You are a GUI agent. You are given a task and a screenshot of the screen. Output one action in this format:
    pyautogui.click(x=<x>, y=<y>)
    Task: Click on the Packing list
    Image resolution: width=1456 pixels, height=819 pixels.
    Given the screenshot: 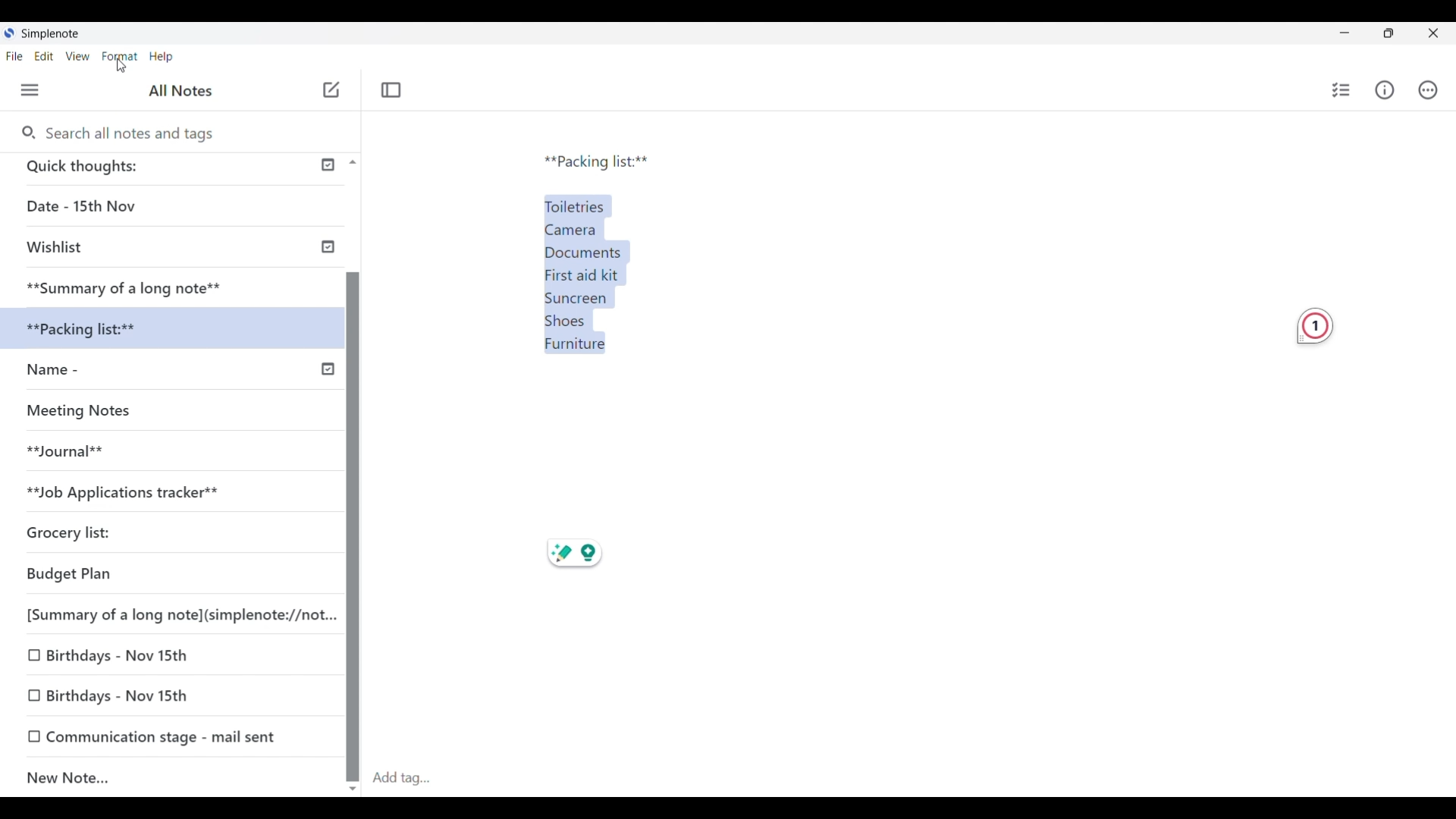 What is the action you would take?
    pyautogui.click(x=596, y=162)
    